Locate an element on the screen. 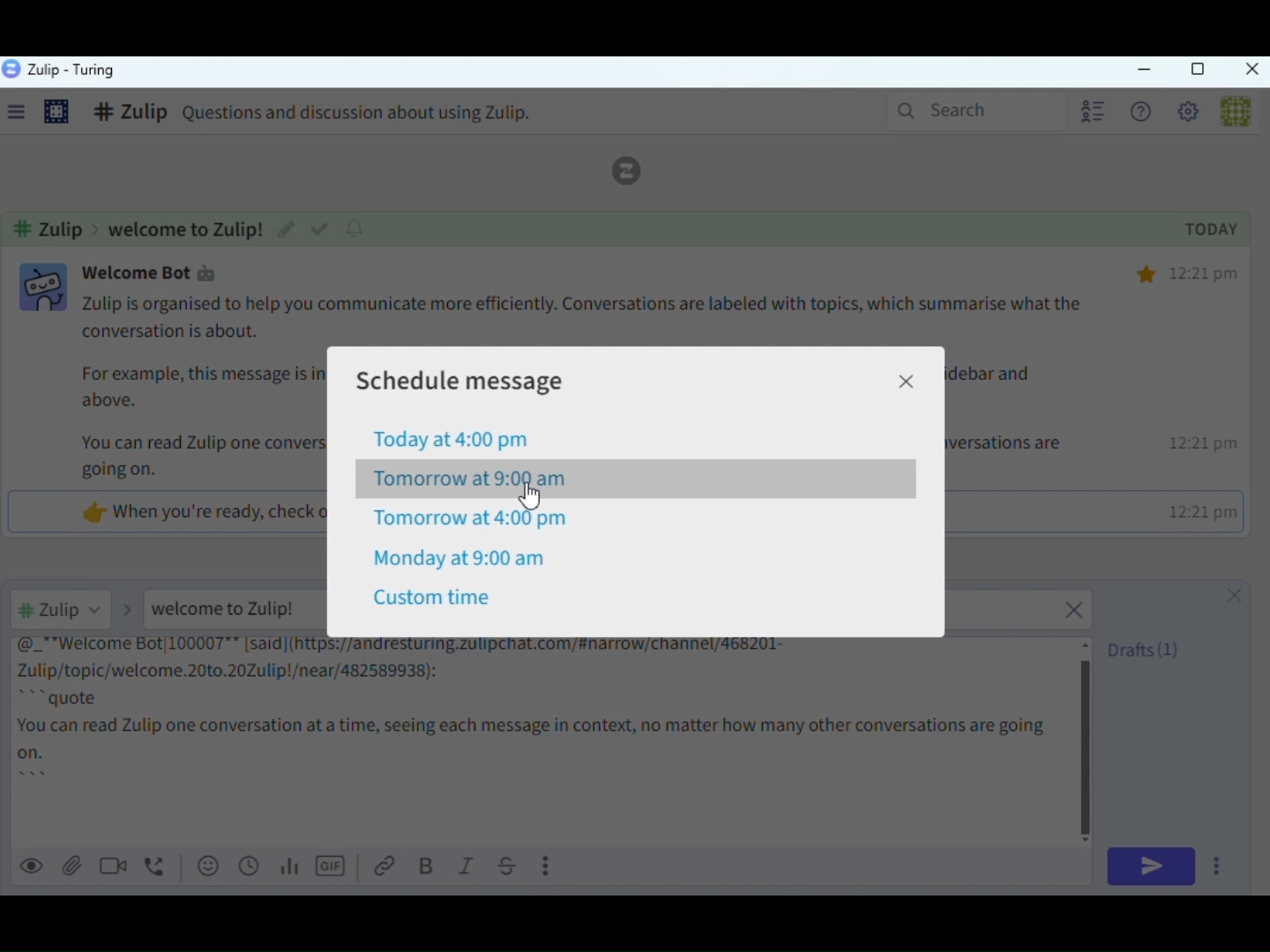 The image size is (1270, 952). Menu is located at coordinates (23, 115).